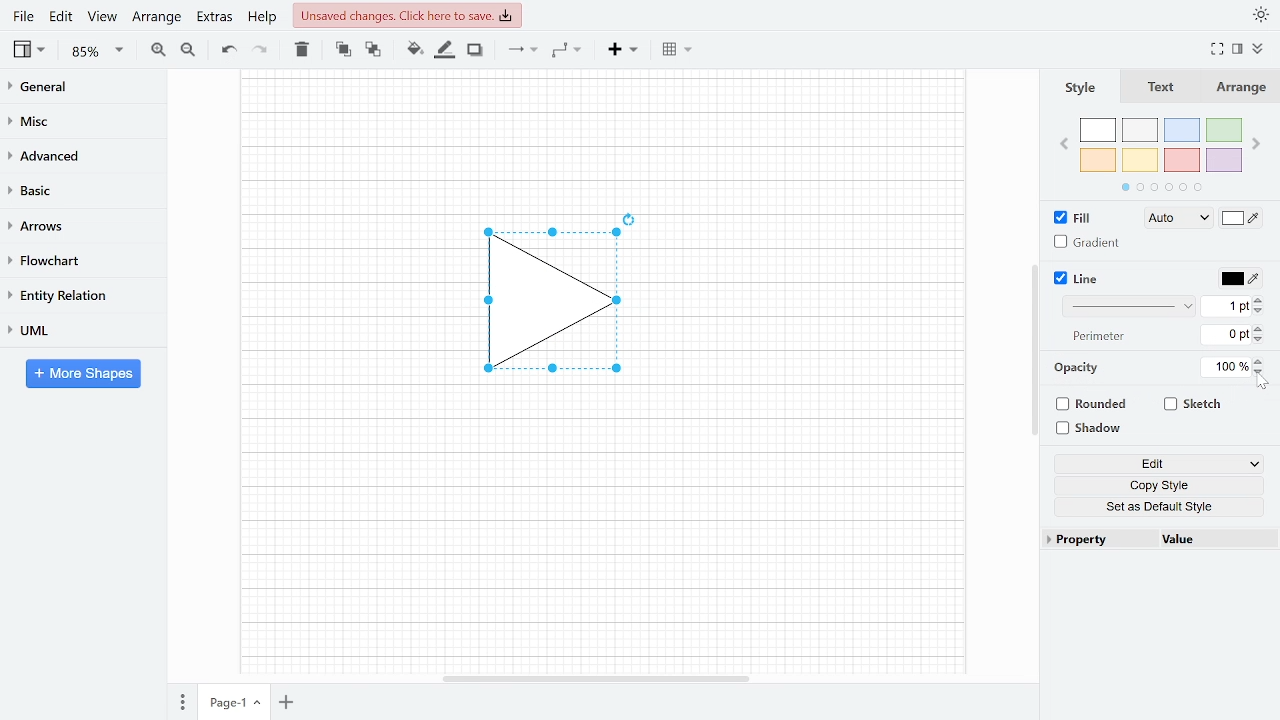 This screenshot has height=720, width=1280. Describe the element at coordinates (74, 330) in the screenshot. I see `UML` at that location.